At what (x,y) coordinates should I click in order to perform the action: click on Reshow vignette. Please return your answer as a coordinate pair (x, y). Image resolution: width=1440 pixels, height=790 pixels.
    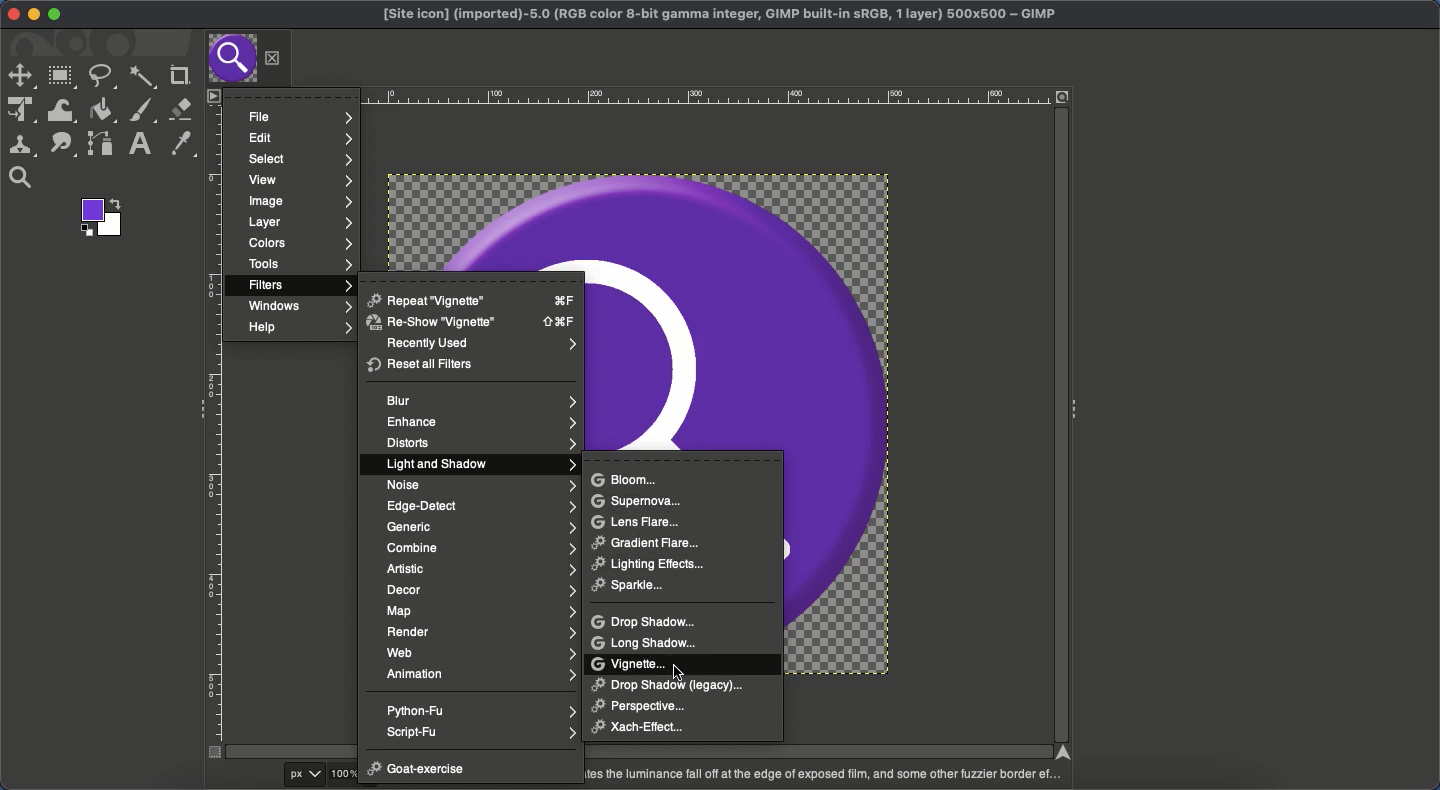
    Looking at the image, I should click on (470, 322).